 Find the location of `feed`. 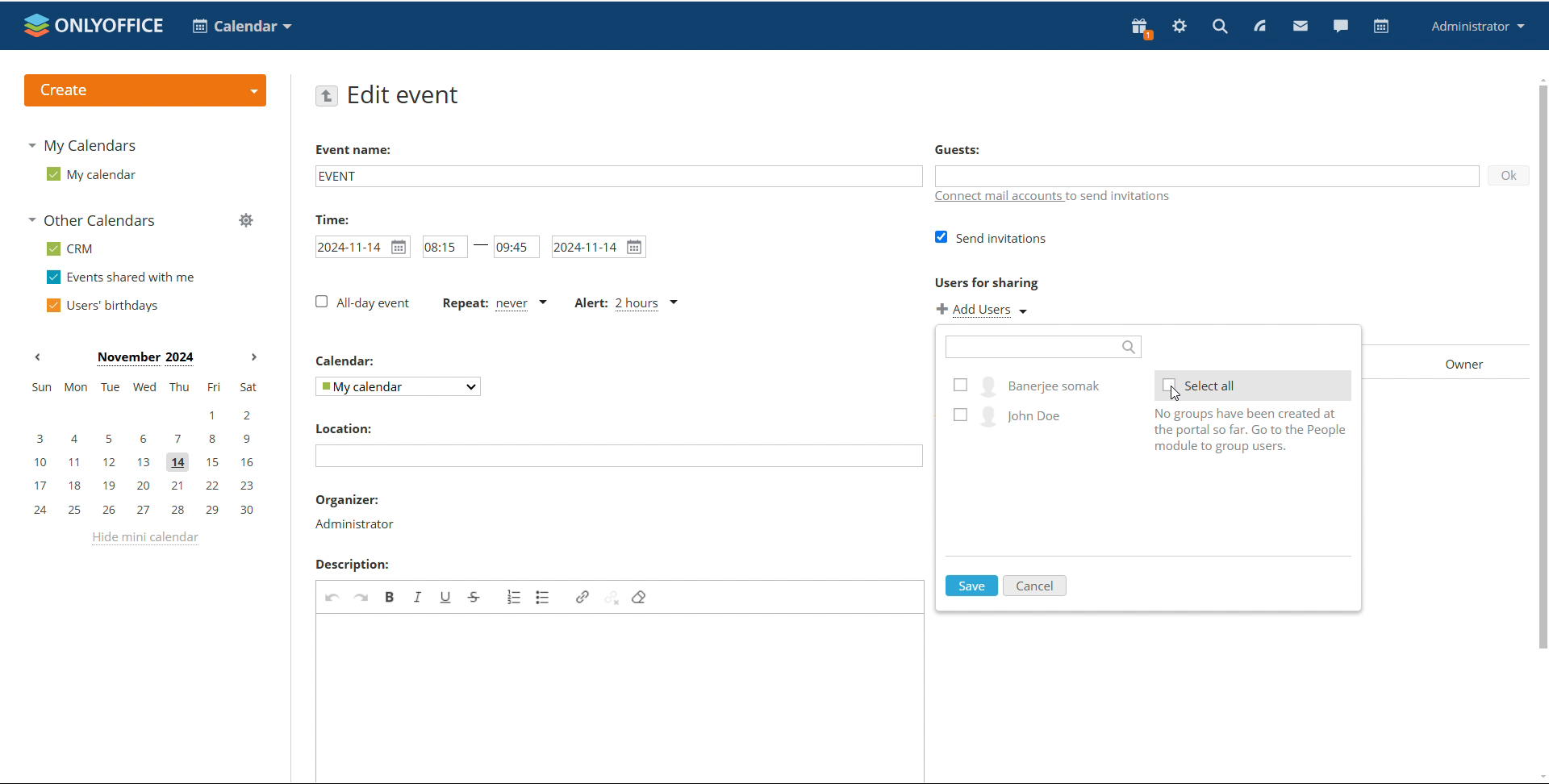

feed is located at coordinates (1259, 27).